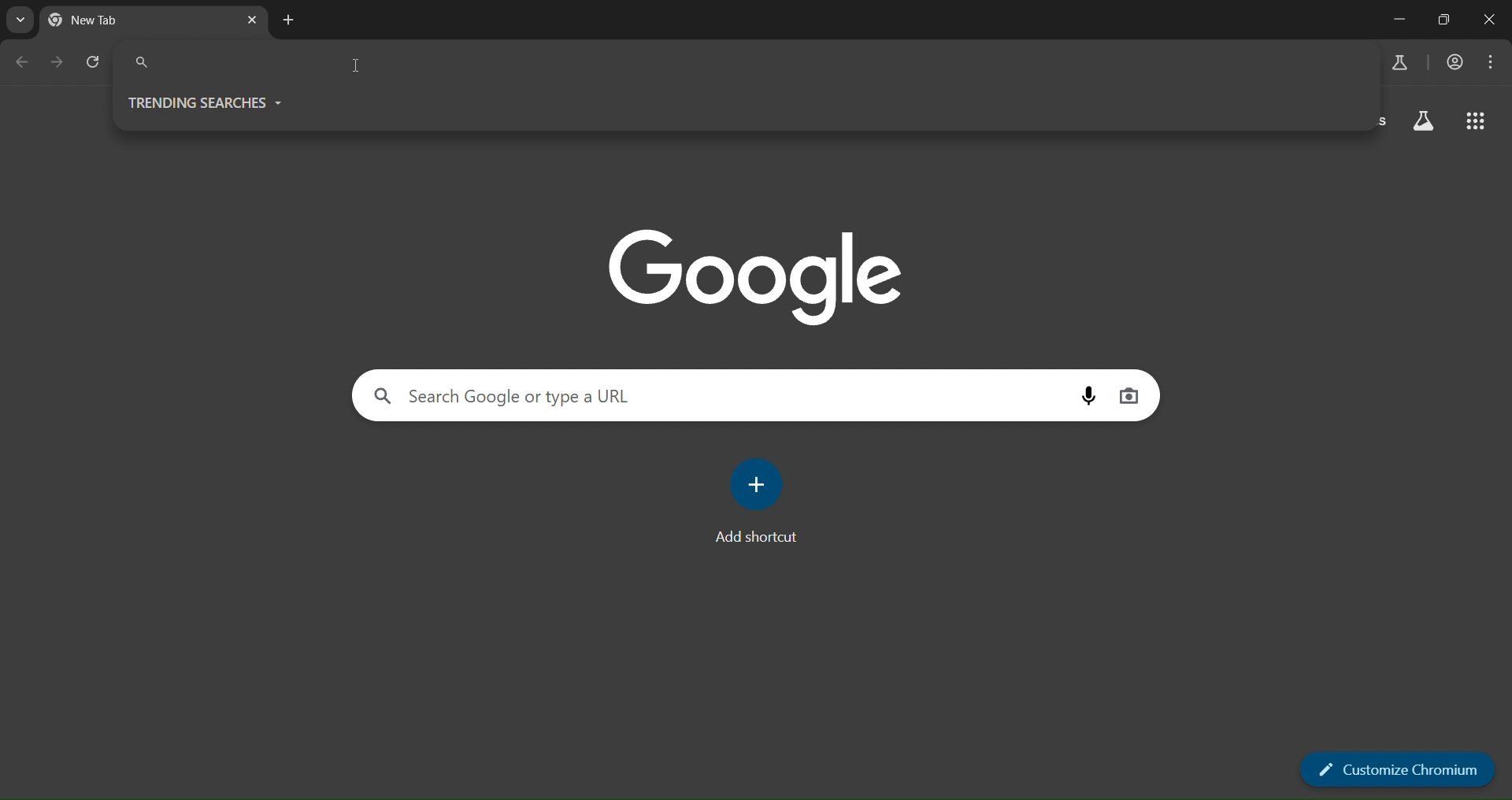 This screenshot has width=1512, height=800. What do you see at coordinates (206, 98) in the screenshot?
I see `trending searches` at bounding box center [206, 98].